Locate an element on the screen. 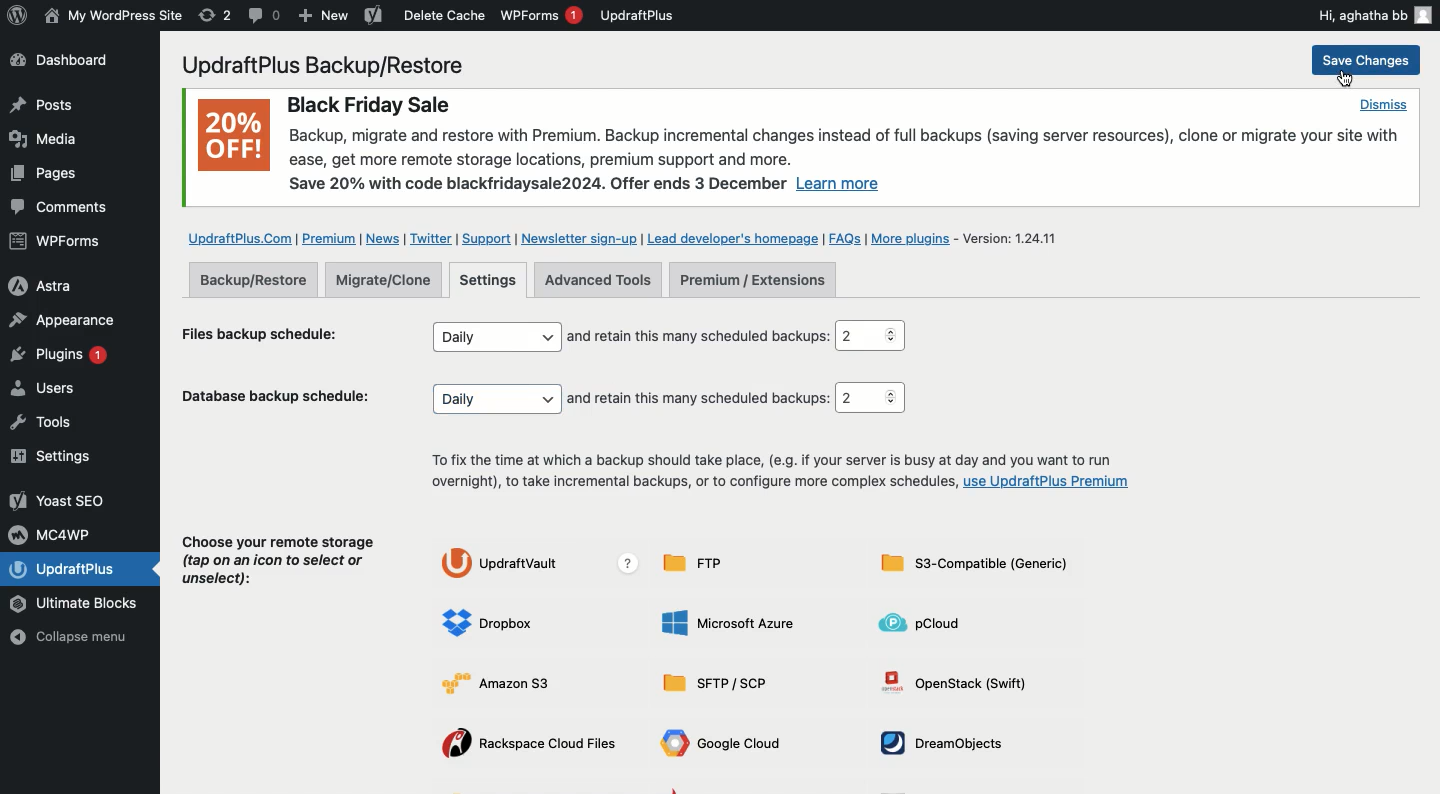  Comment 0 is located at coordinates (265, 15).